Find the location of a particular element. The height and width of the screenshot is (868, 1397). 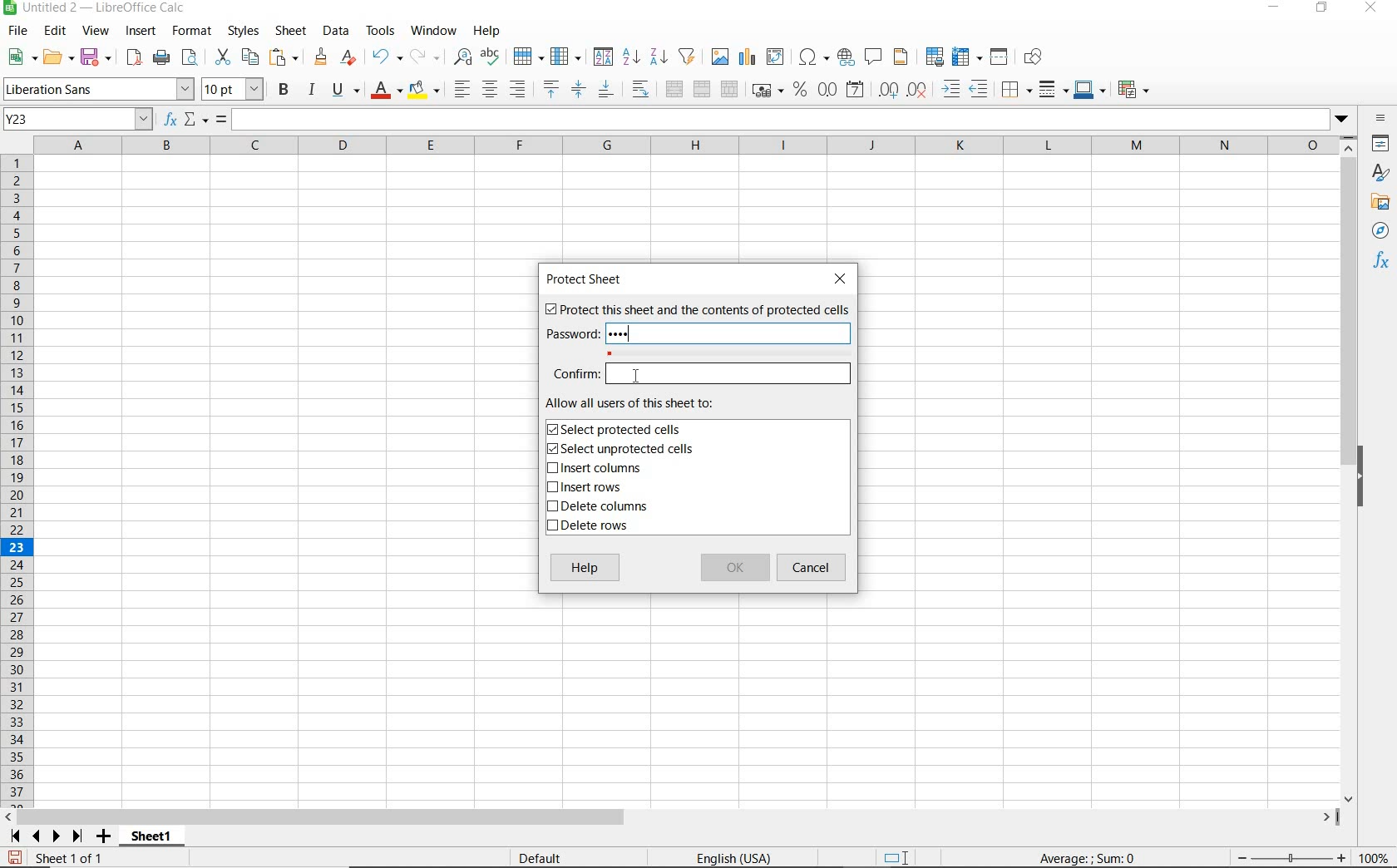

ALIGN RIGHT is located at coordinates (517, 90).